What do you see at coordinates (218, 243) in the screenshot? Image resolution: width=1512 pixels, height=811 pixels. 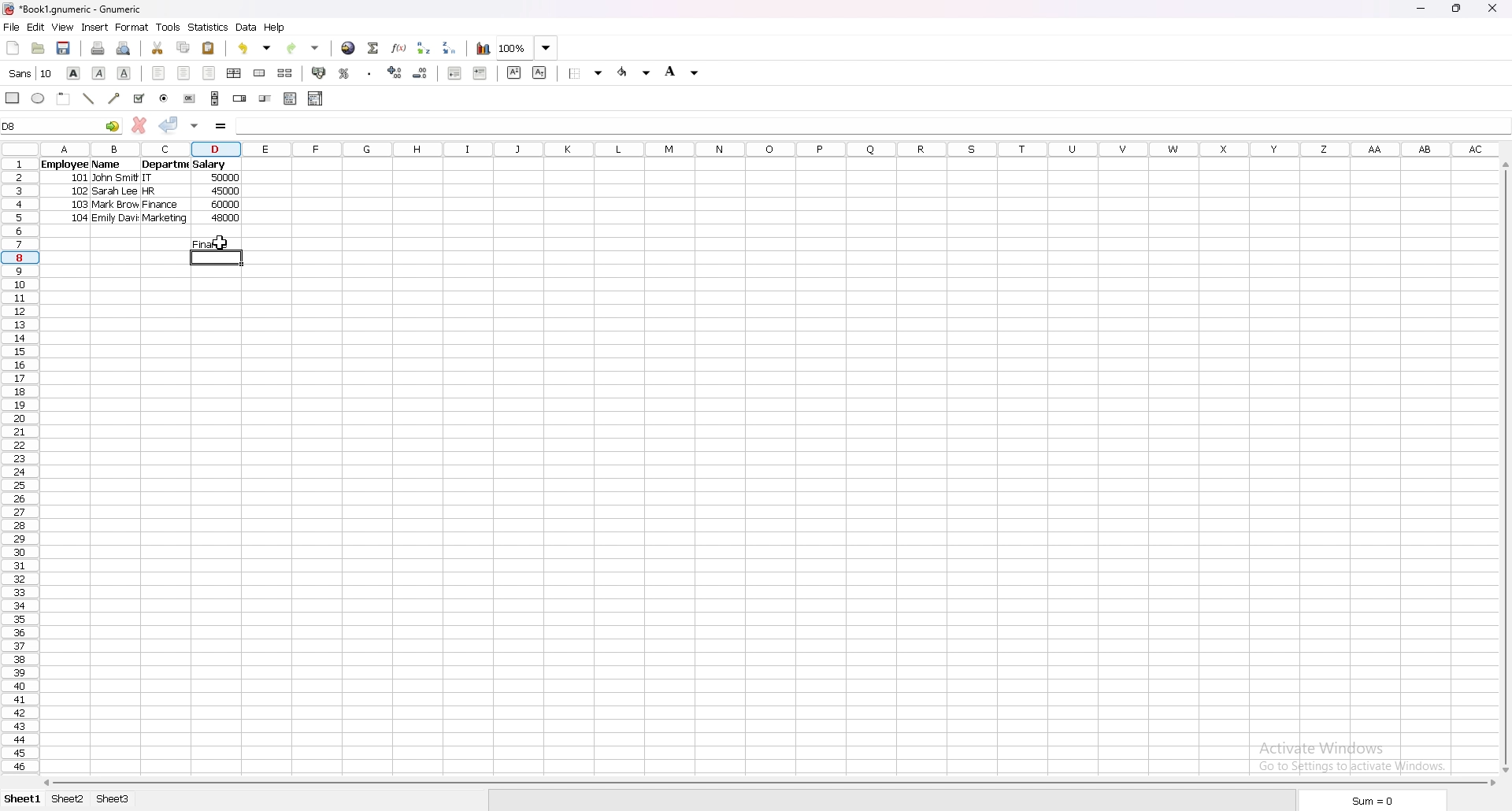 I see `cursor` at bounding box center [218, 243].